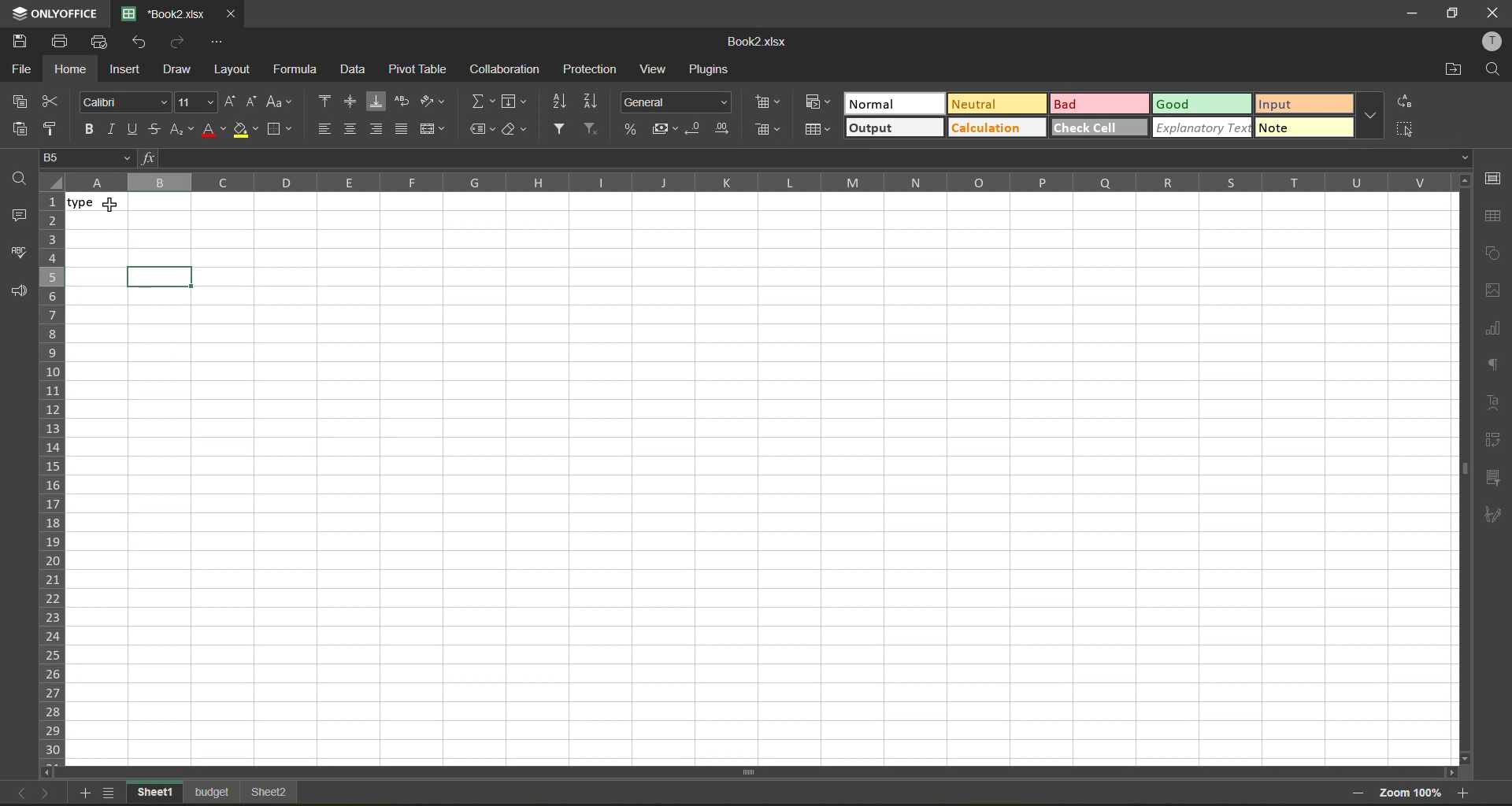 The width and height of the screenshot is (1512, 806). I want to click on formula bar, so click(817, 159).